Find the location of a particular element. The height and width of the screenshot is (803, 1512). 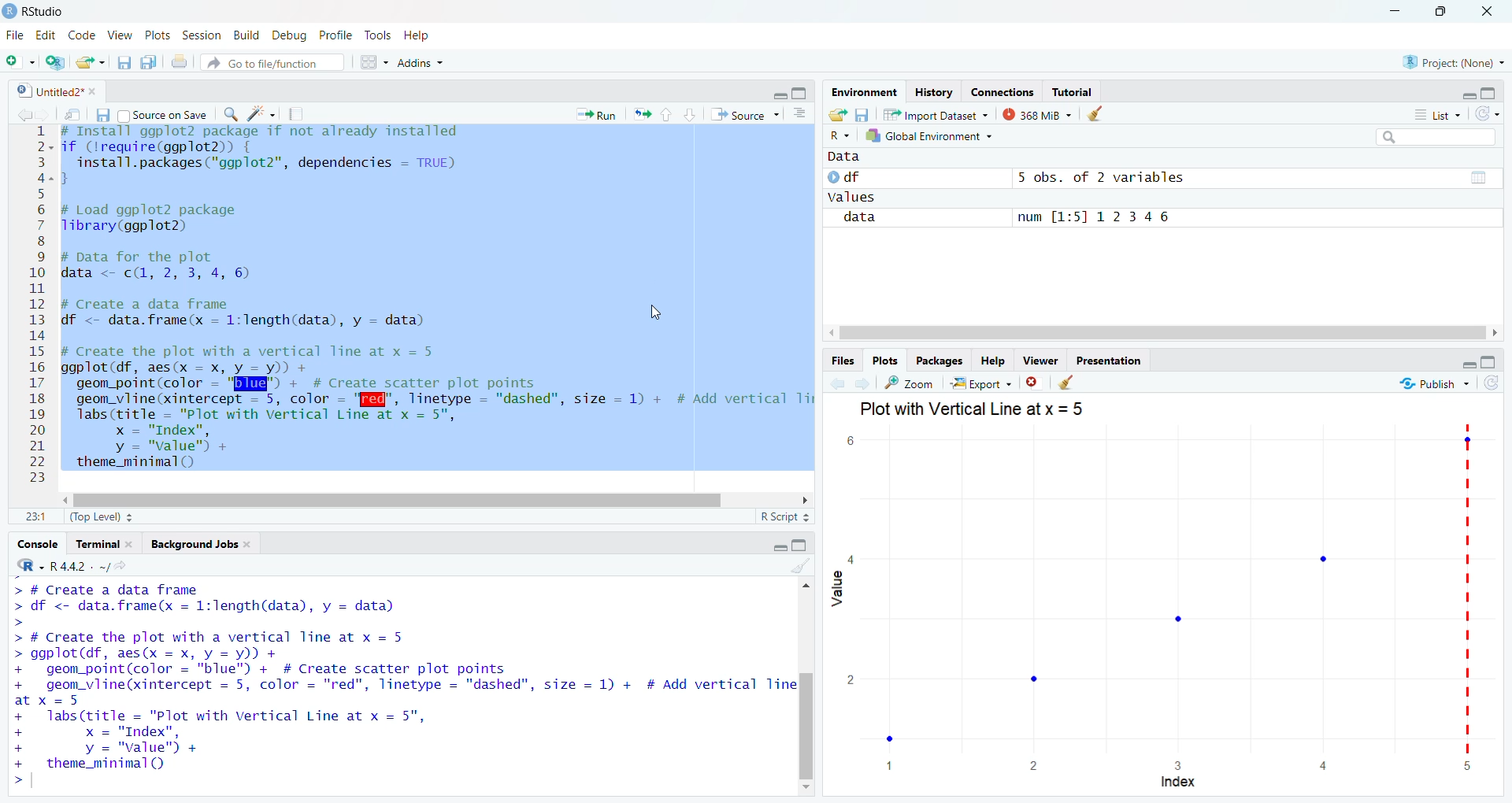

minimise is located at coordinates (775, 94).